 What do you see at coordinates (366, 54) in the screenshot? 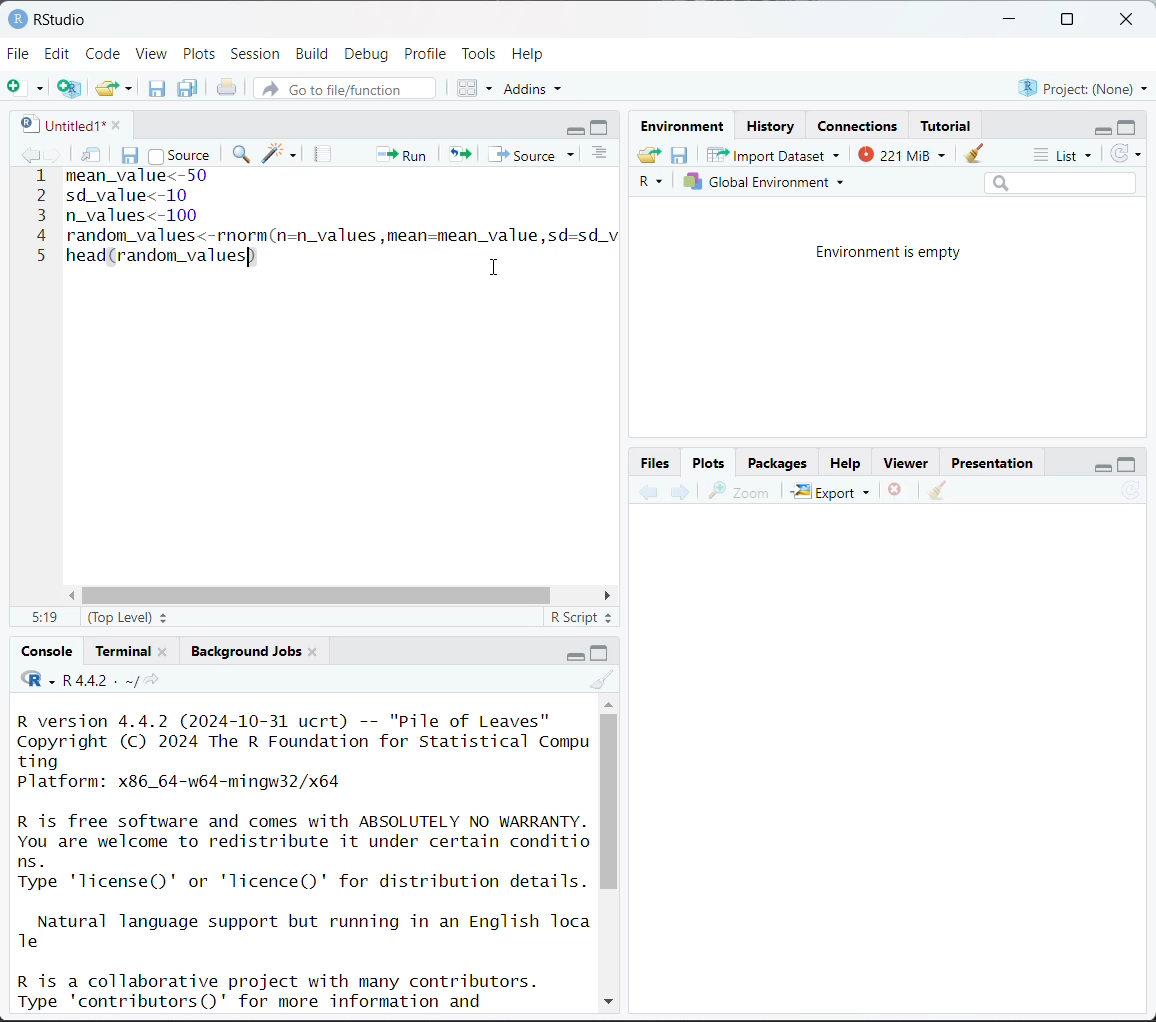
I see `Debug` at bounding box center [366, 54].